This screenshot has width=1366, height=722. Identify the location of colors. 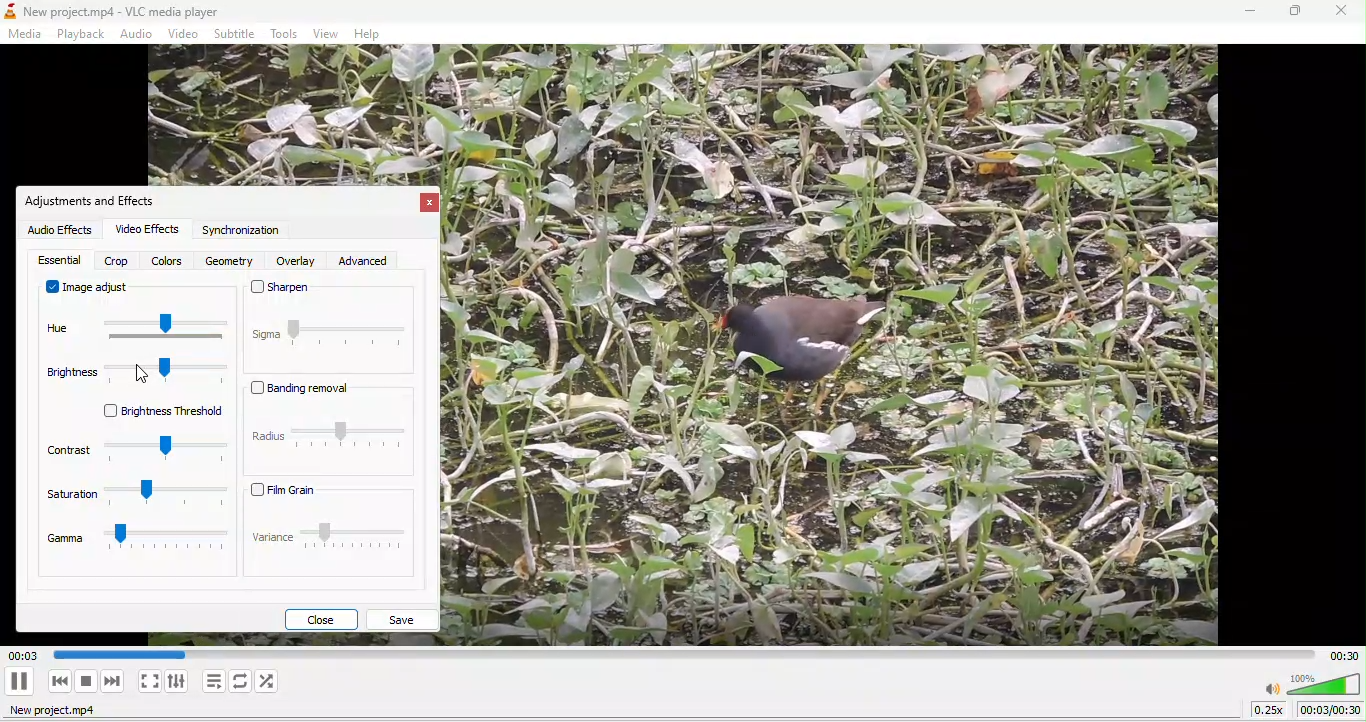
(167, 261).